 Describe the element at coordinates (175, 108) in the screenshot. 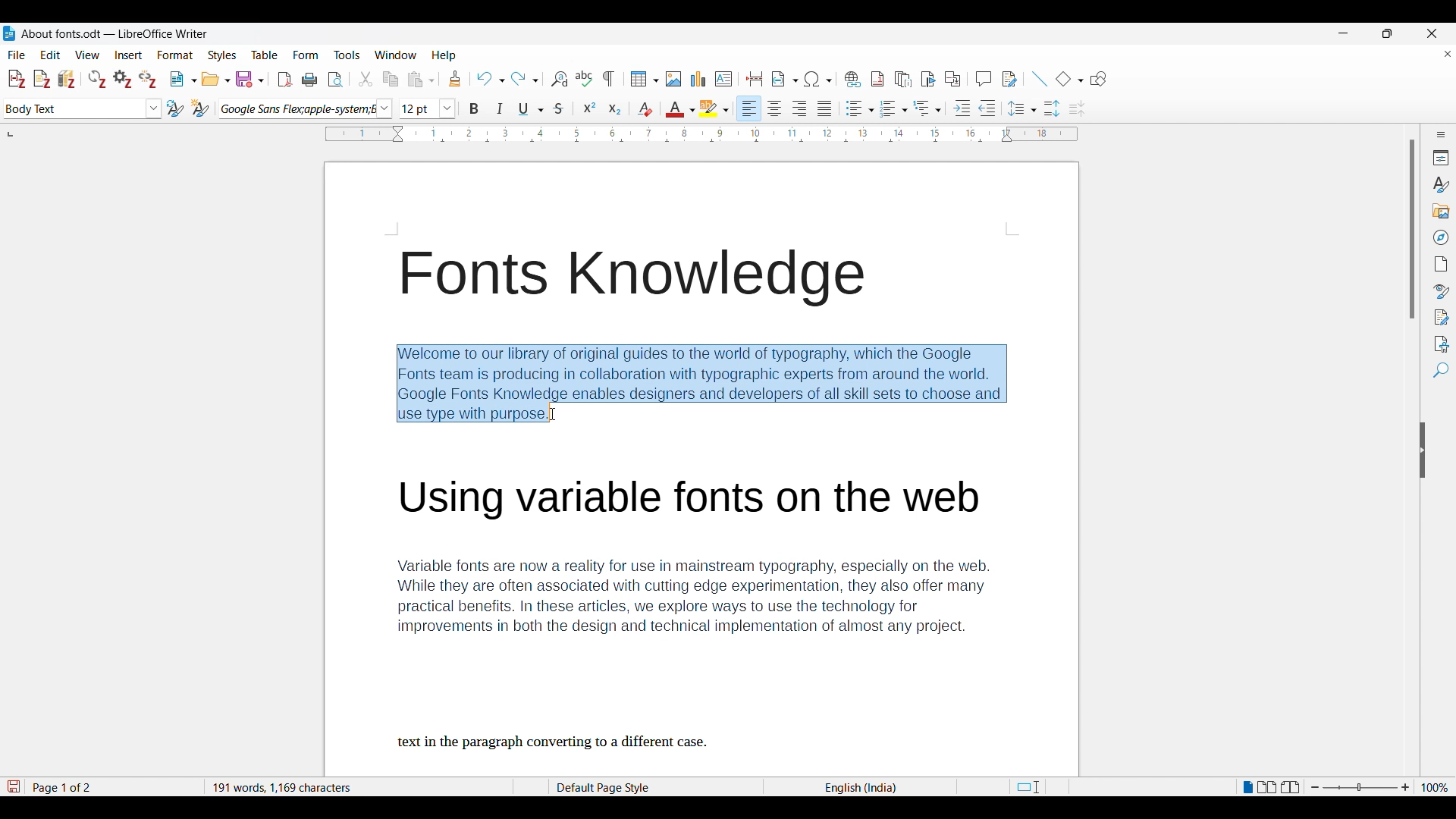

I see `Update selected style` at that location.